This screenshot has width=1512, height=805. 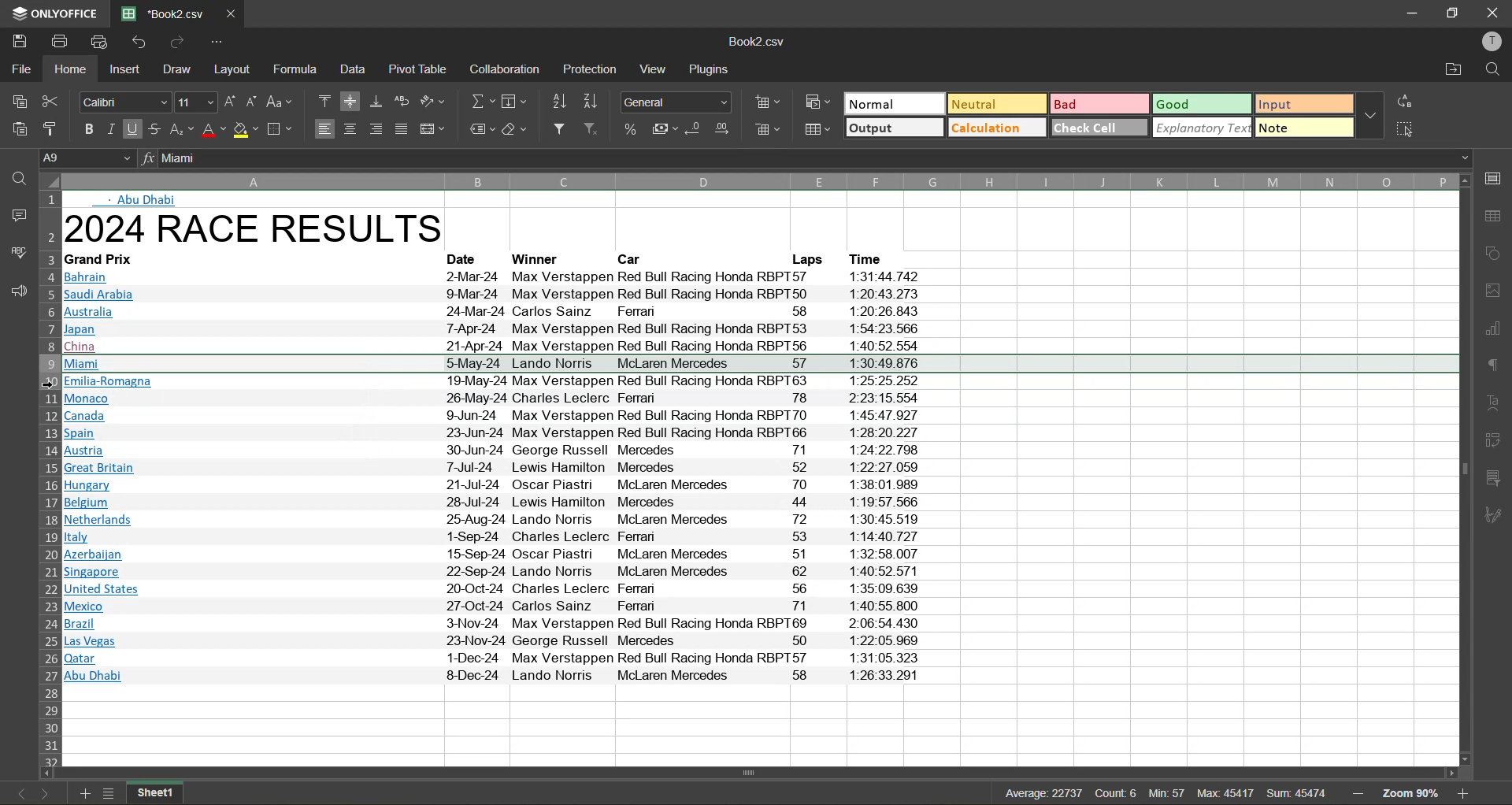 I want to click on Qatar 1-Dec-24 Max Verstappen Red Bull Racing Honda RBPT57 1:31:05.323, so click(x=491, y=658).